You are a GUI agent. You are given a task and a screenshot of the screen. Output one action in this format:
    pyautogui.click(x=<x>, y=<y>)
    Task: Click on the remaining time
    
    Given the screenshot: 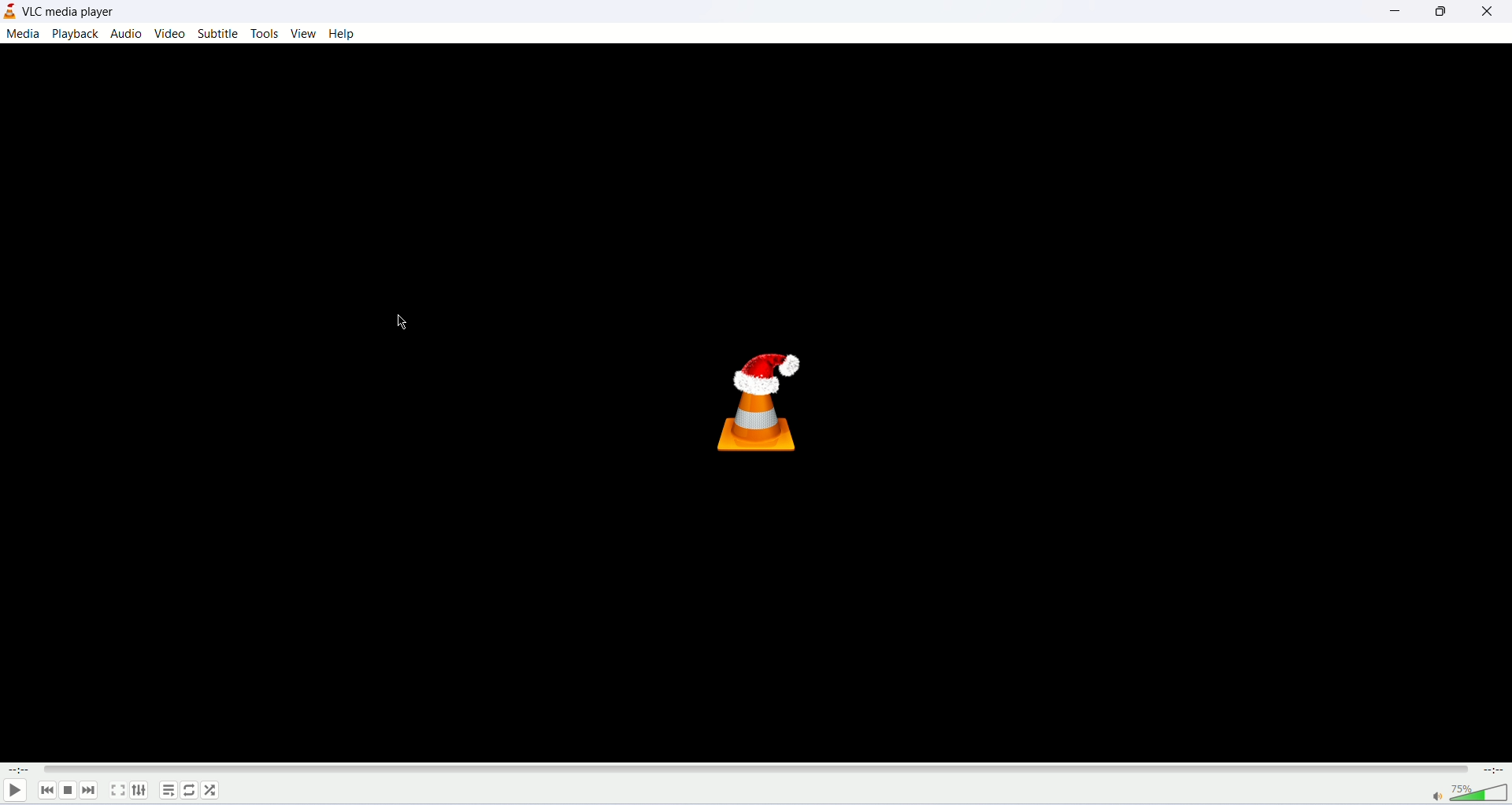 What is the action you would take?
    pyautogui.click(x=1492, y=770)
    